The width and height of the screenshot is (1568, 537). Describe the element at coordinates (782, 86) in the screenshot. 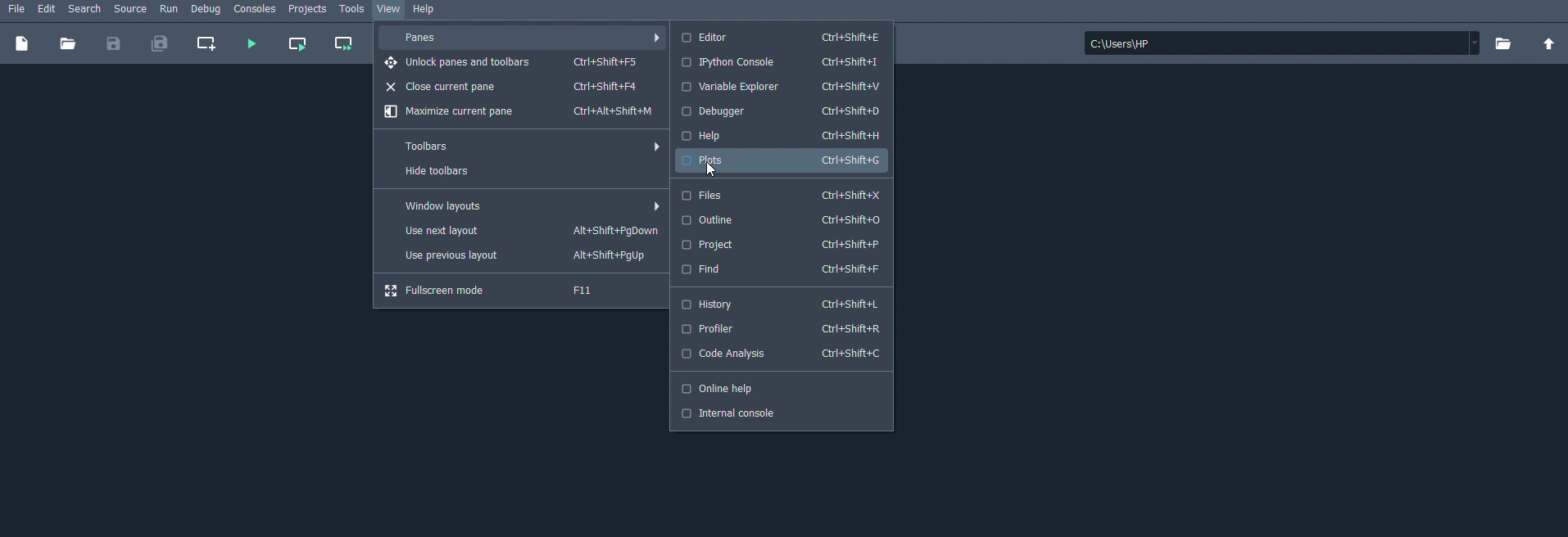

I see `Variable Explorer` at that location.